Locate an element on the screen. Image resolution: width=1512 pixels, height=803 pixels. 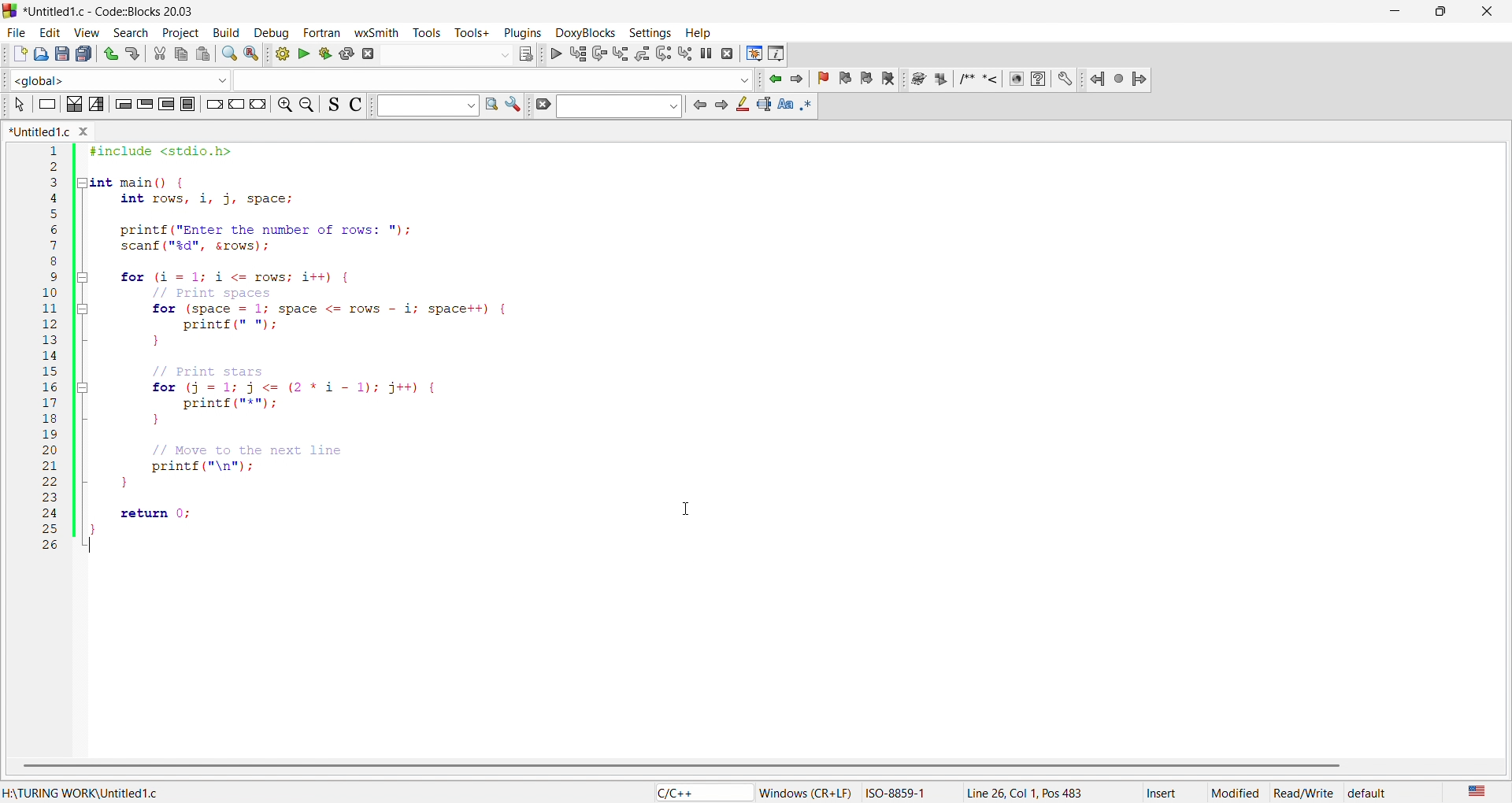
save all is located at coordinates (83, 54).